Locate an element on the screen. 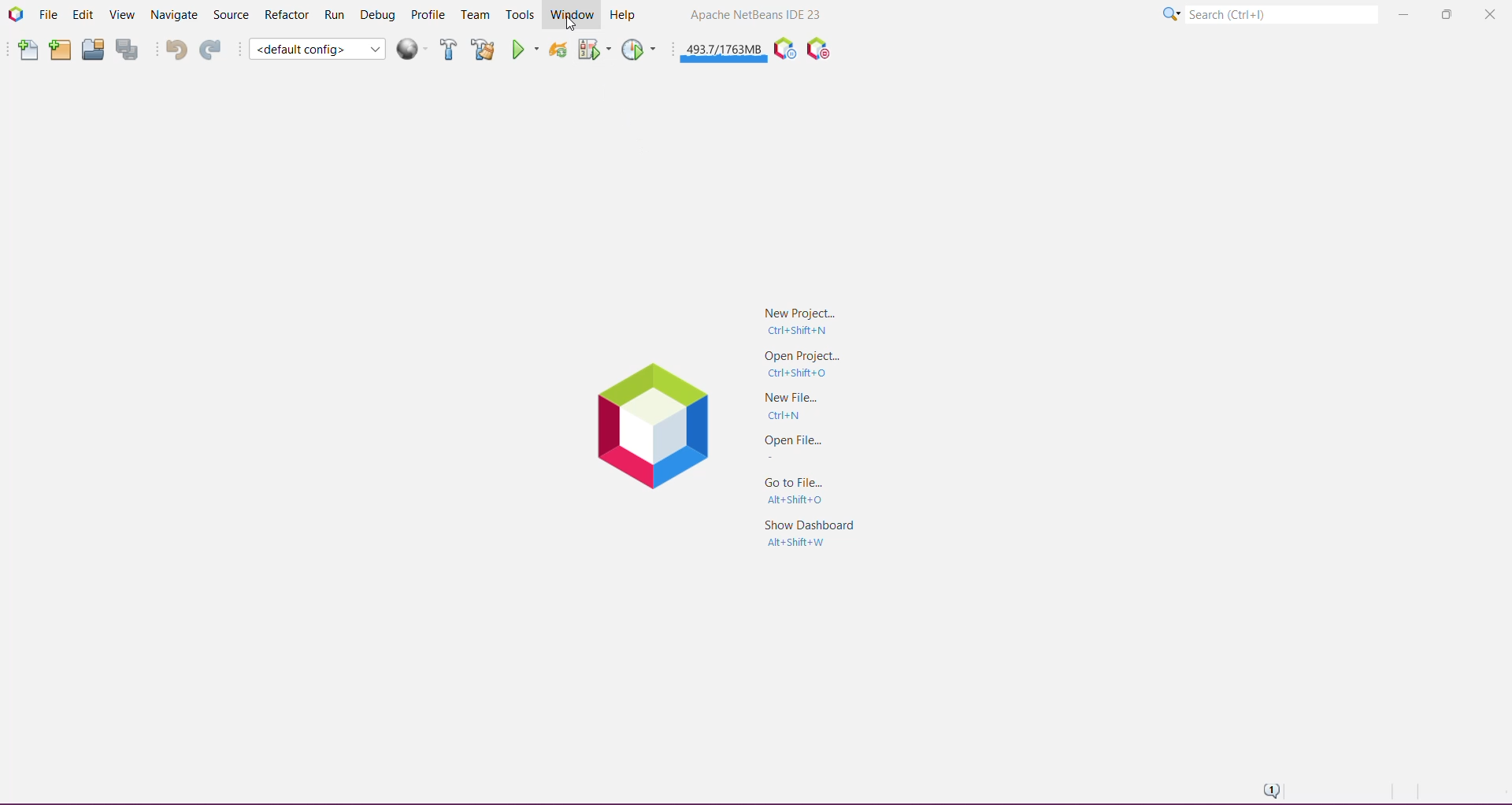 Image resolution: width=1512 pixels, height=805 pixels. Show Dashboard is located at coordinates (813, 536).